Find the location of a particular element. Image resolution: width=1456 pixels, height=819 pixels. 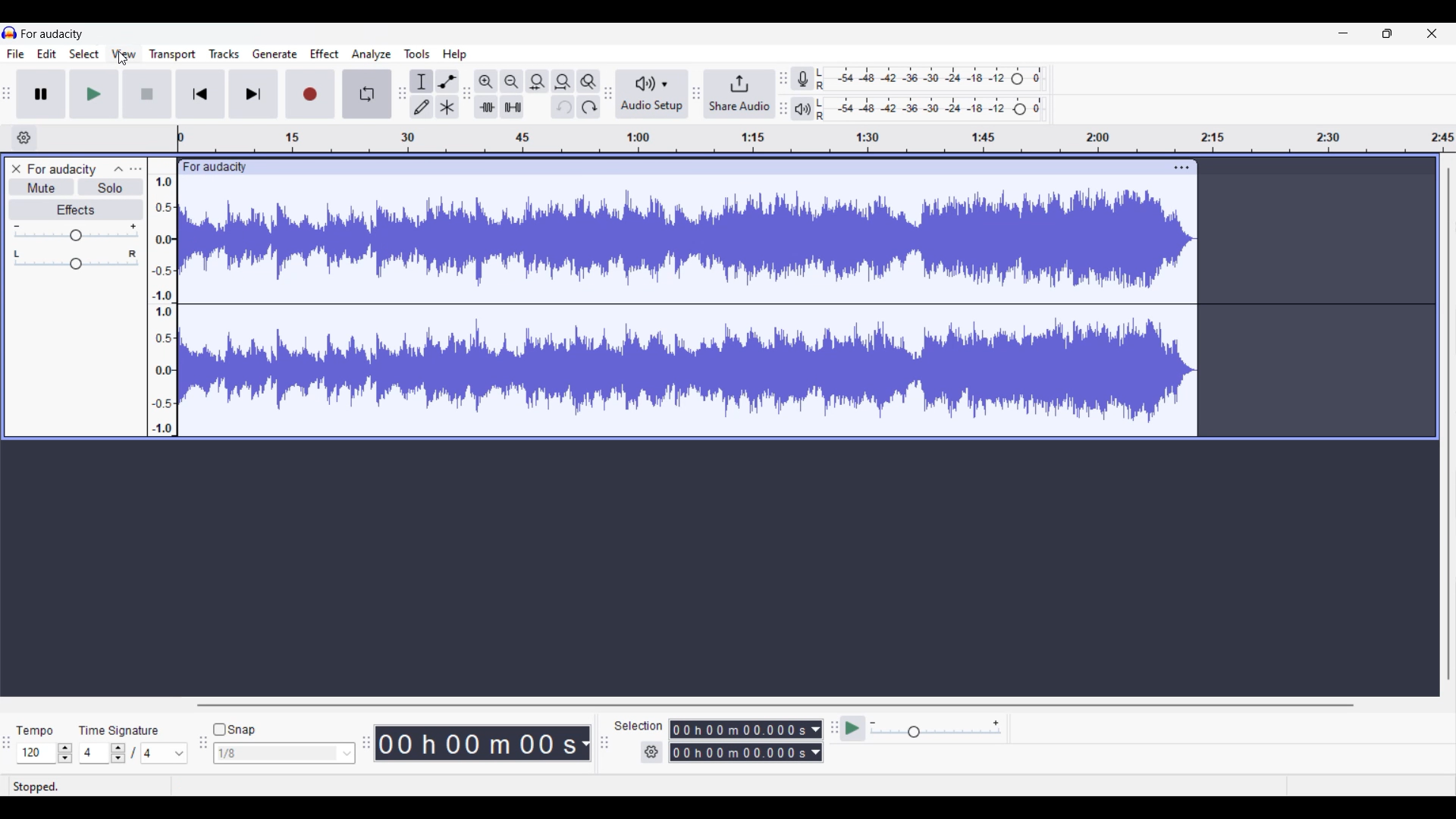

Recording level is located at coordinates (932, 79).